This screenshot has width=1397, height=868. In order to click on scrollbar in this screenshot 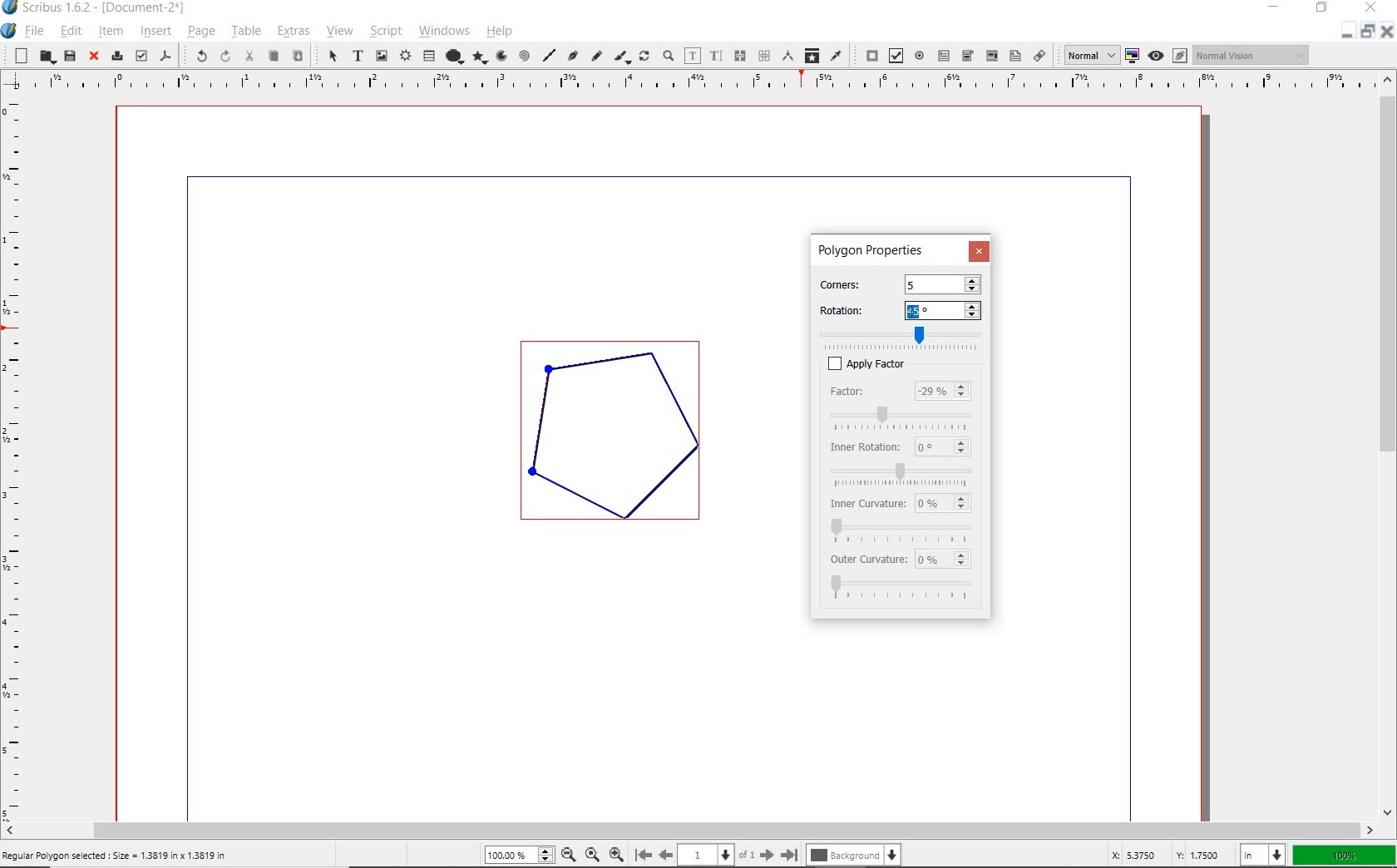, I will do `click(1389, 446)`.